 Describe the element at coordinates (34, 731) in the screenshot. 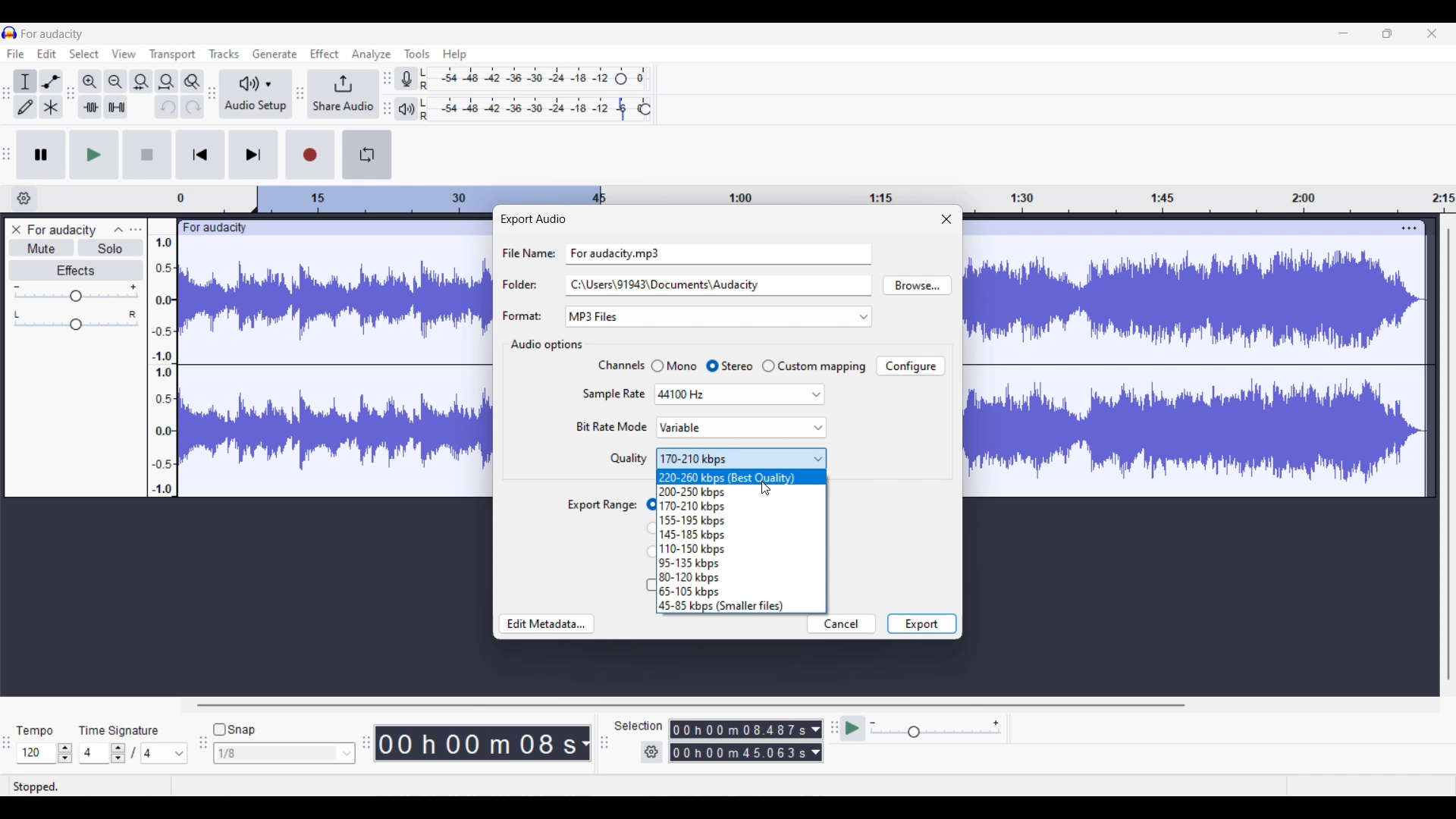

I see `Tempo settings` at that location.